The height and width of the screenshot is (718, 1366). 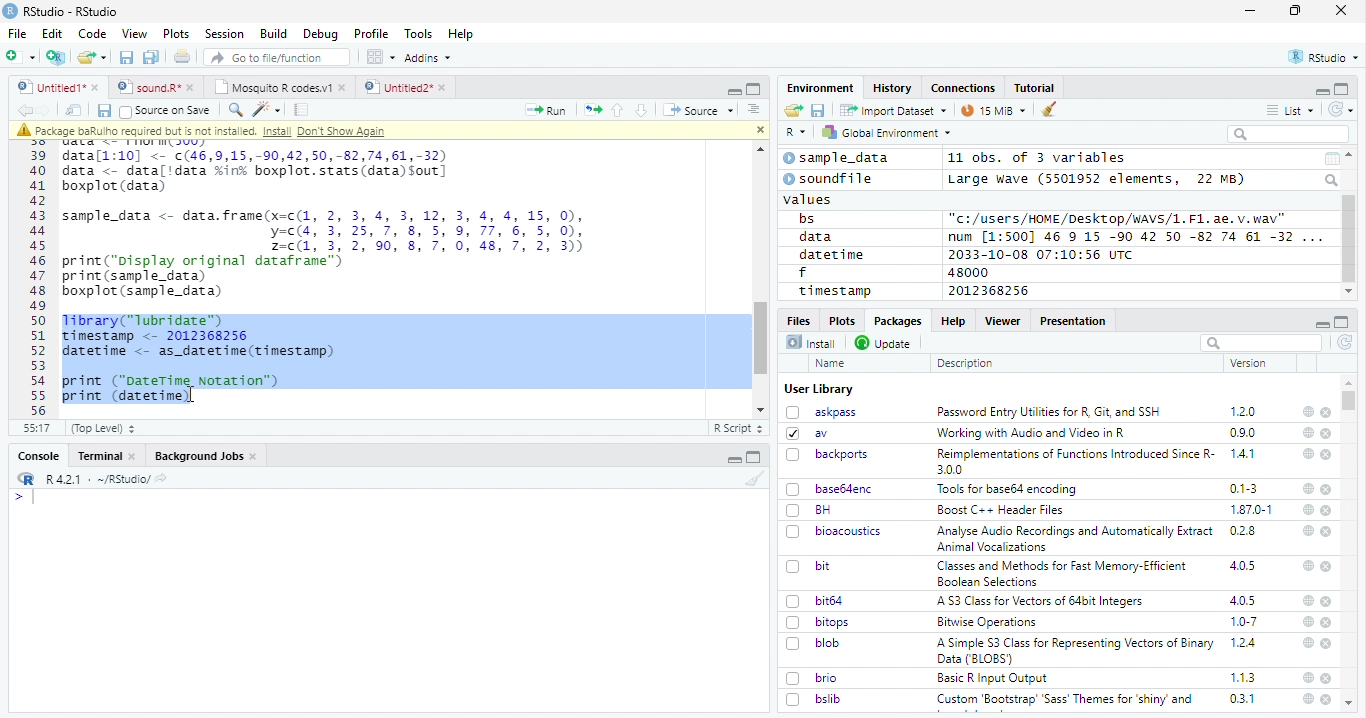 What do you see at coordinates (273, 34) in the screenshot?
I see `Build` at bounding box center [273, 34].